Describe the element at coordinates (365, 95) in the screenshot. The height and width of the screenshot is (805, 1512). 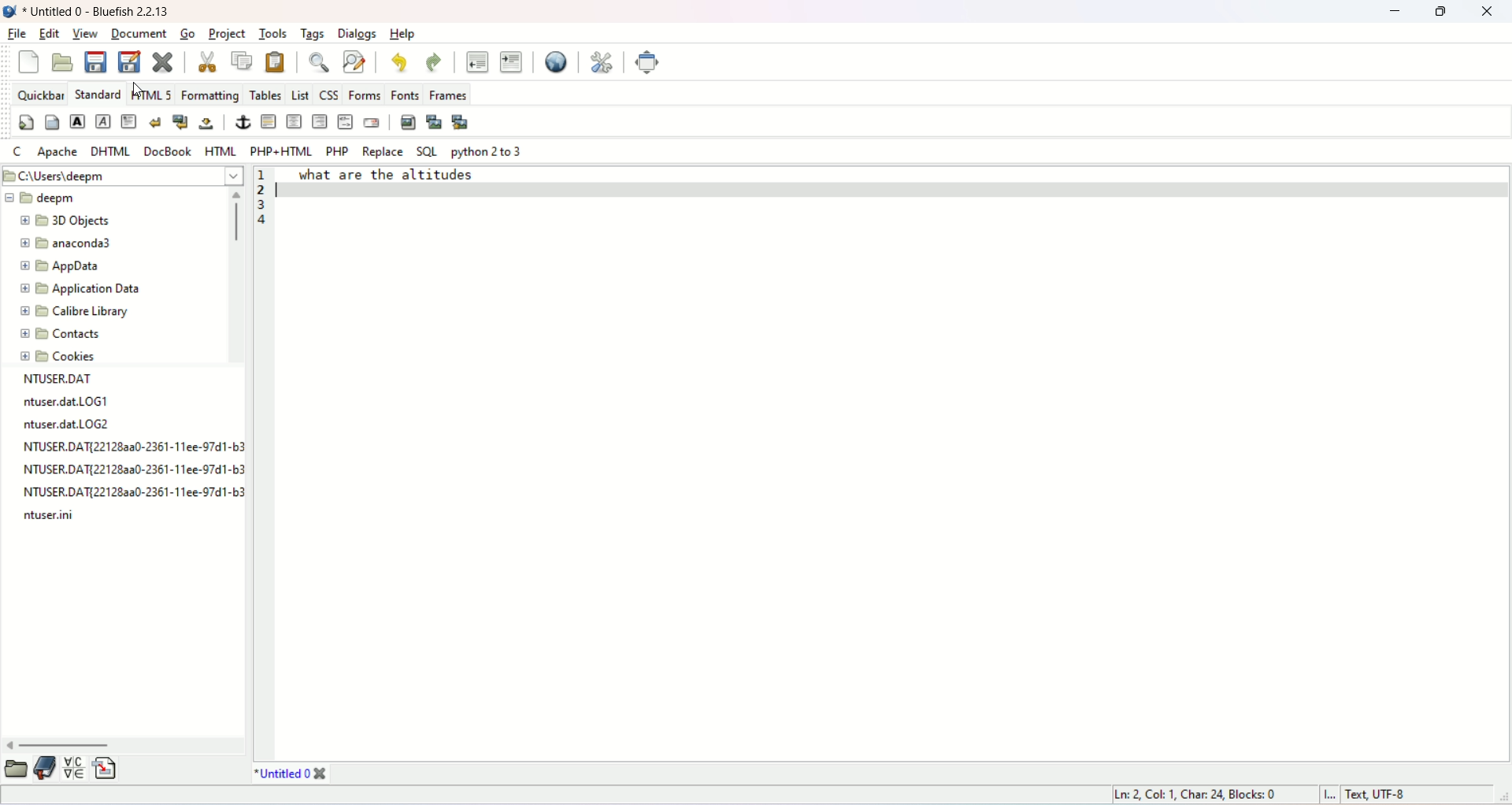
I see `forms` at that location.